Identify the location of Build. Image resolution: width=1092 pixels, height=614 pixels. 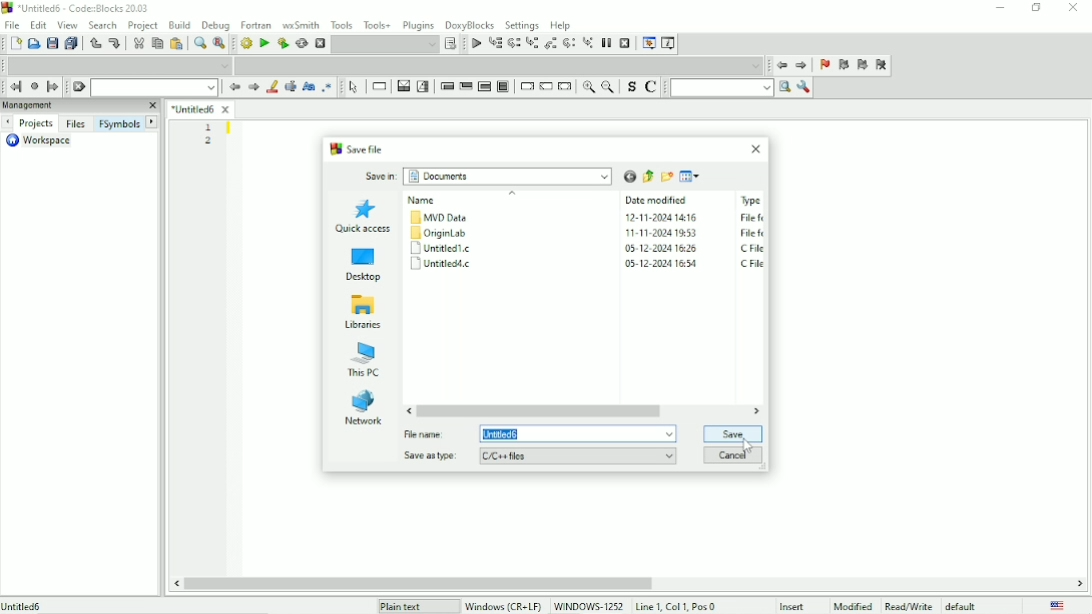
(246, 44).